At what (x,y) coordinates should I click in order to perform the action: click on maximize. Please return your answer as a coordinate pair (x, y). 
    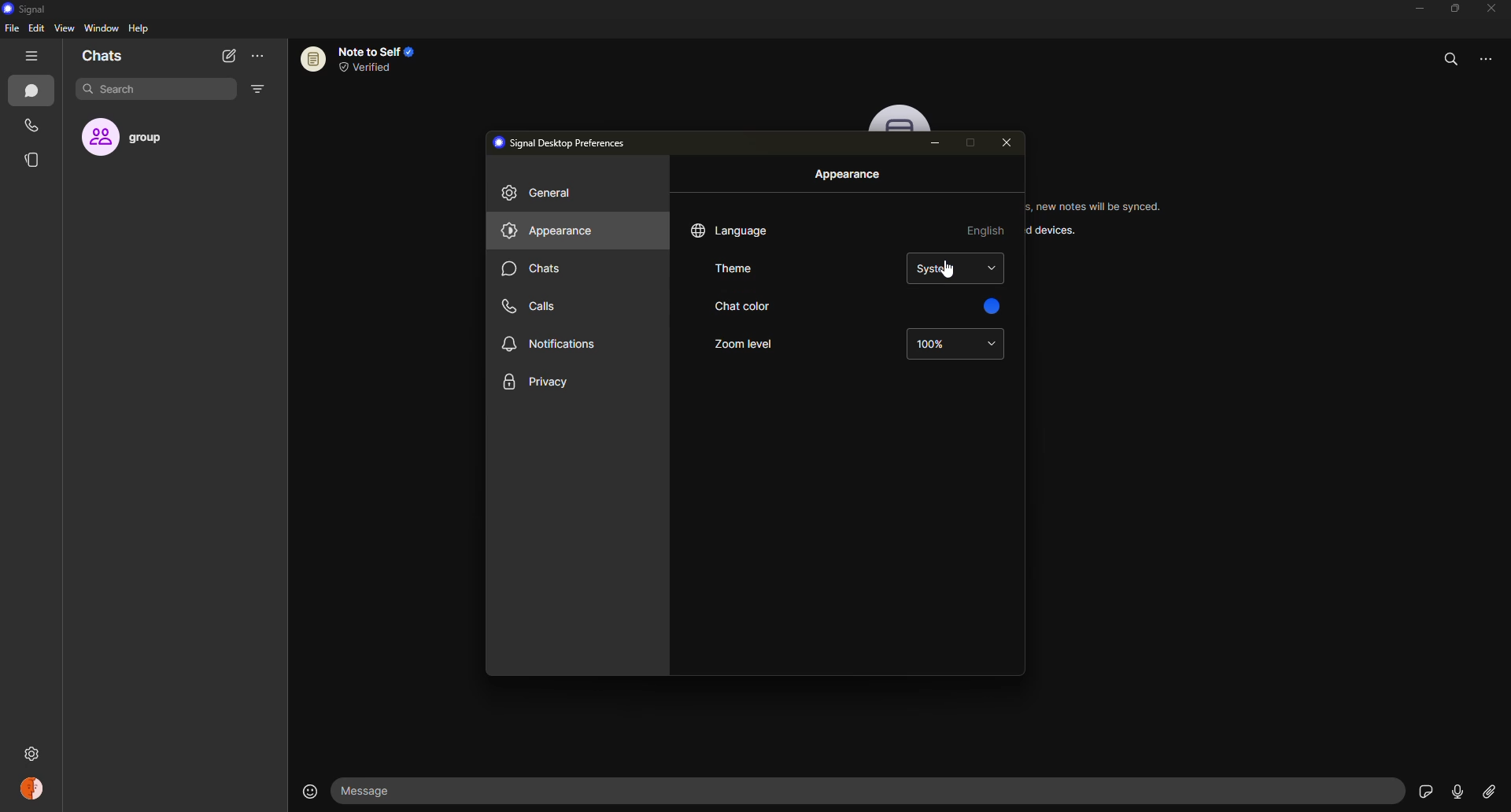
    Looking at the image, I should click on (968, 143).